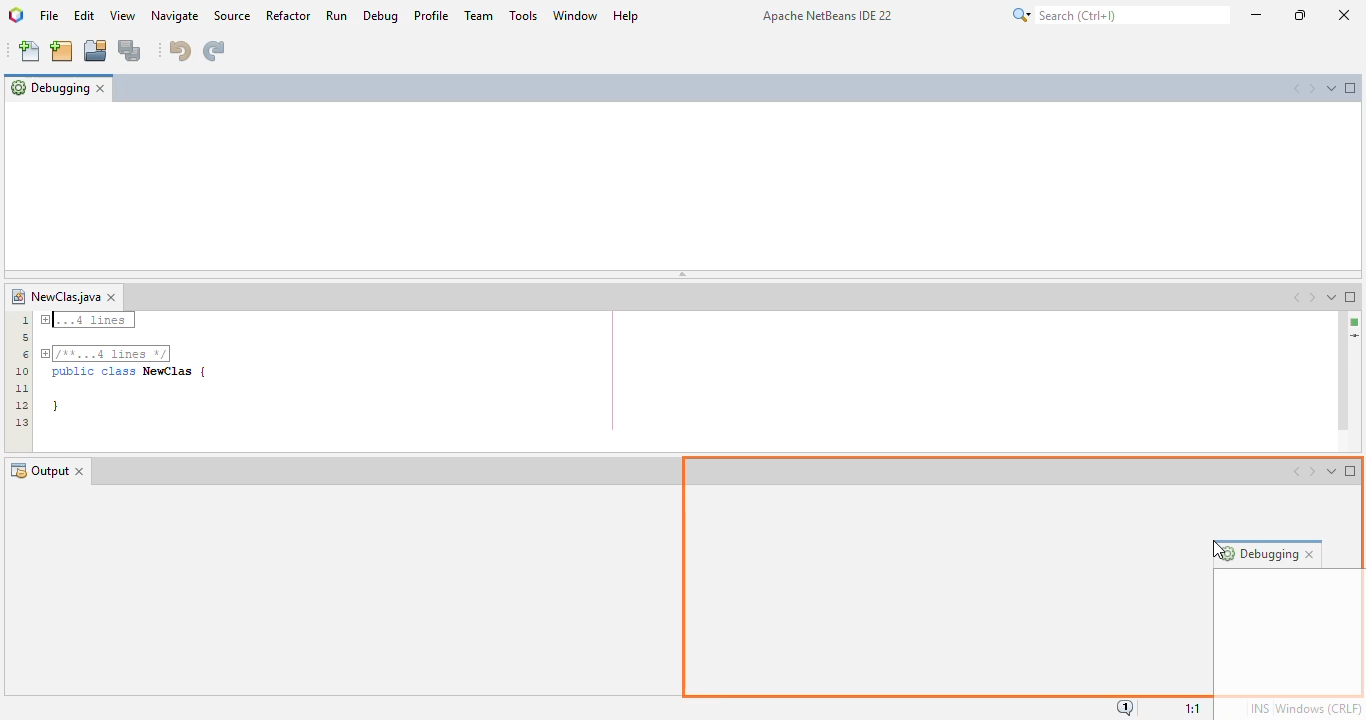 The image size is (1366, 720). Describe the element at coordinates (62, 51) in the screenshot. I see `new project` at that location.